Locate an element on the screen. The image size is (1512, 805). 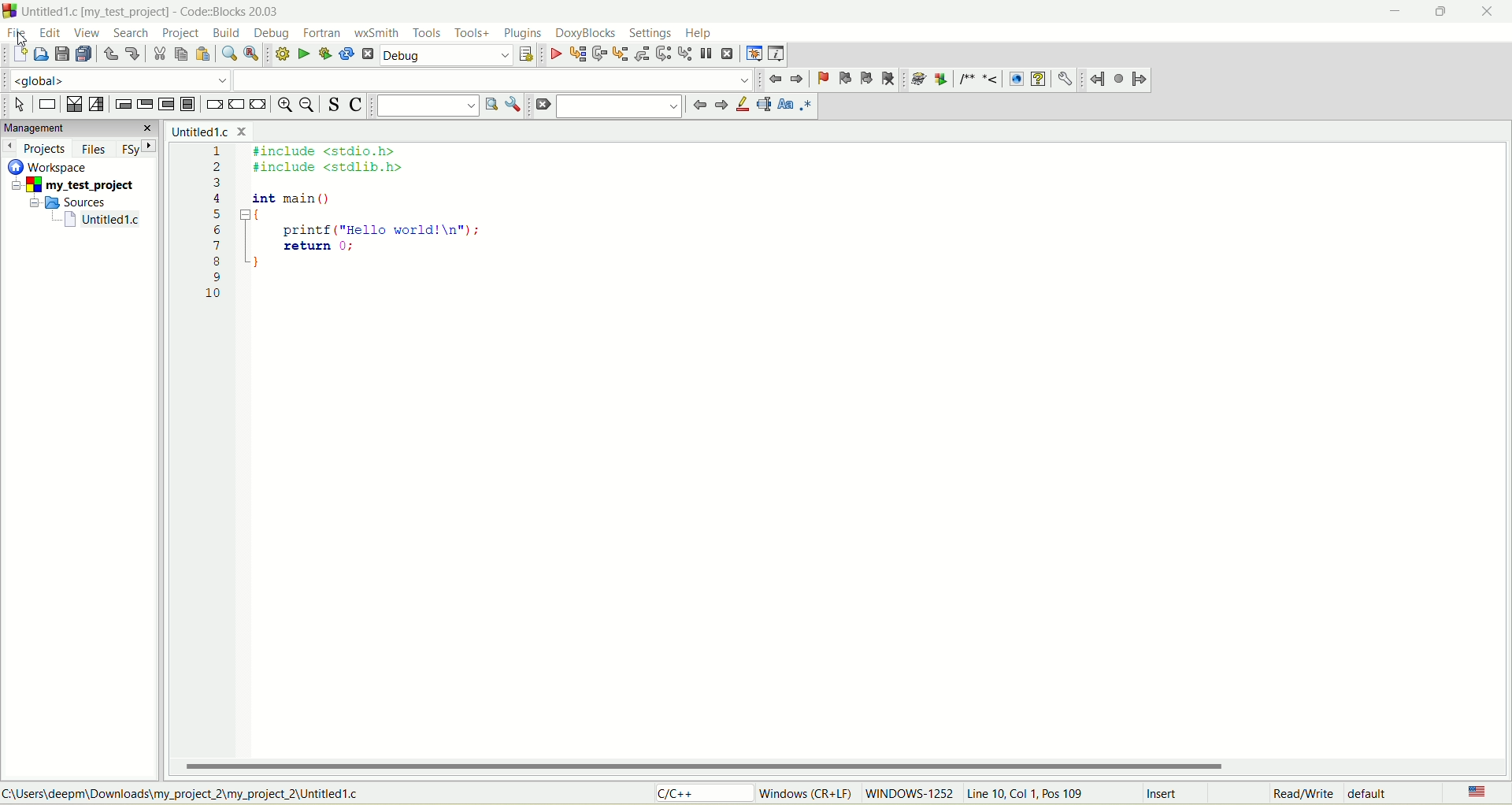
extract documentation is located at coordinates (941, 80).